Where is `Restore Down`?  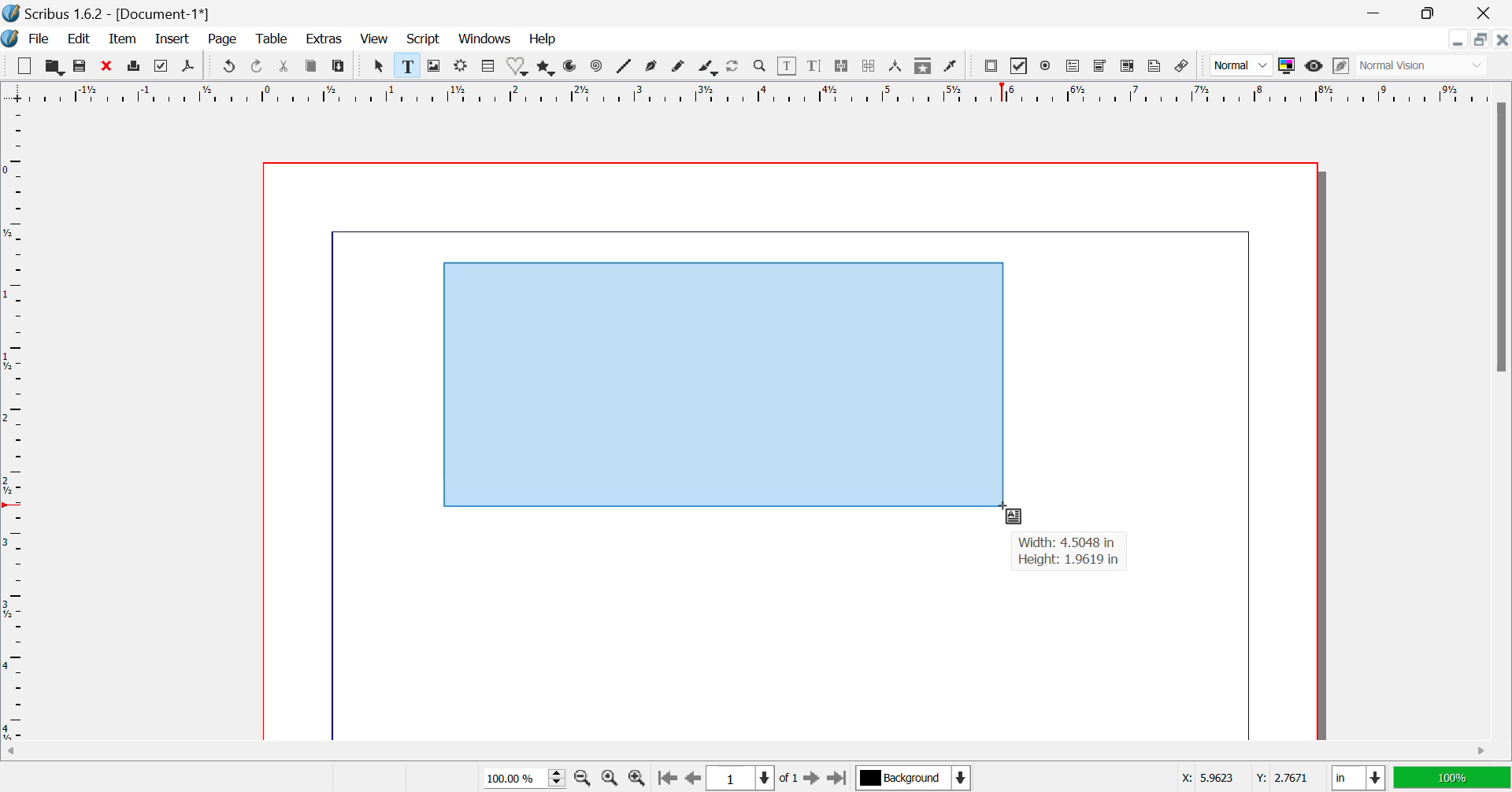 Restore Down is located at coordinates (1378, 12).